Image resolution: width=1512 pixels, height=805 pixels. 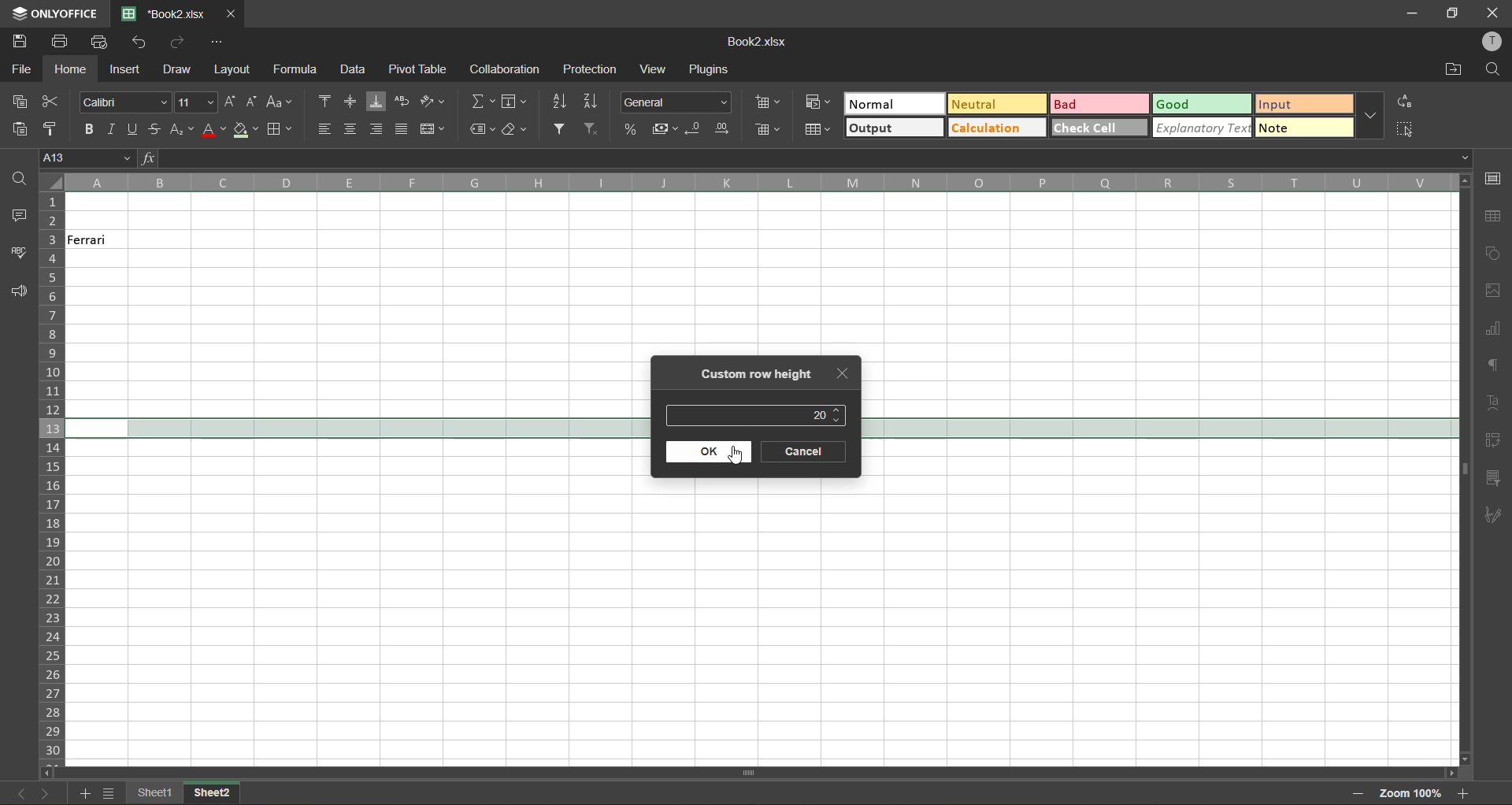 What do you see at coordinates (230, 102) in the screenshot?
I see `increment size` at bounding box center [230, 102].